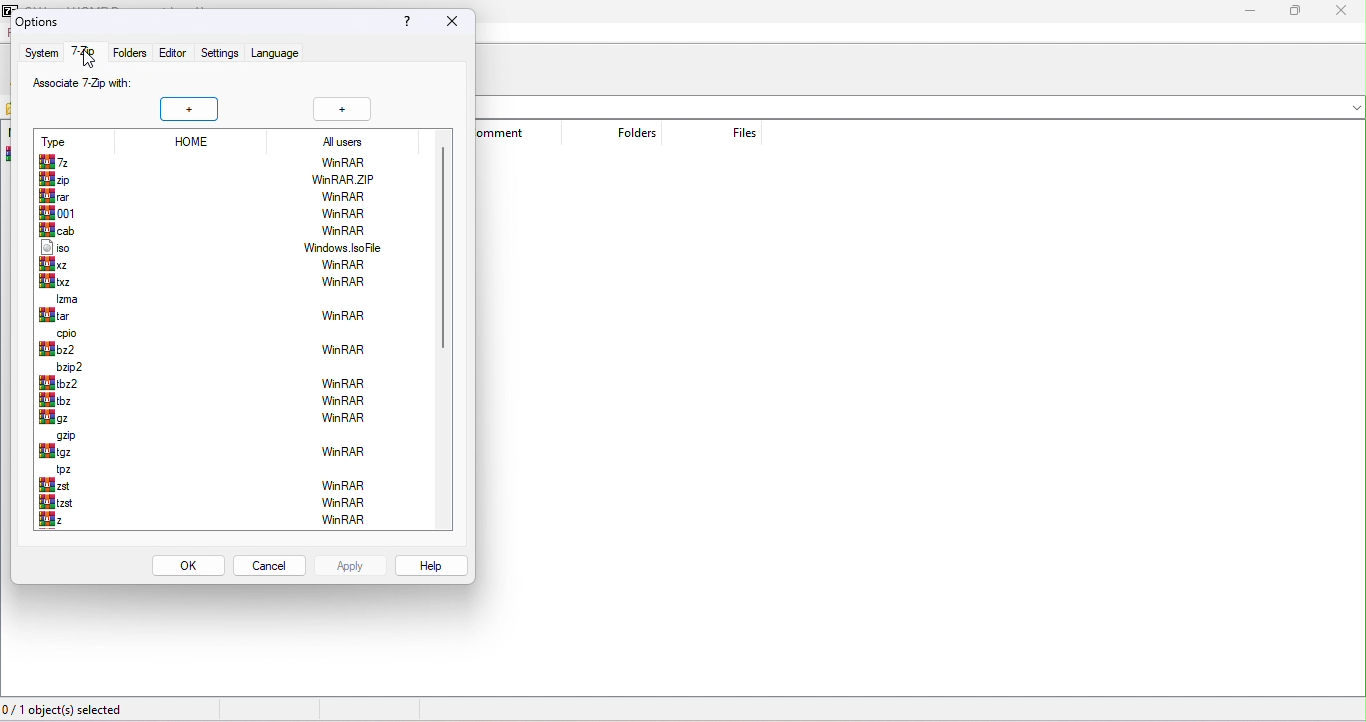 The image size is (1366, 722). I want to click on cancel, so click(269, 567).